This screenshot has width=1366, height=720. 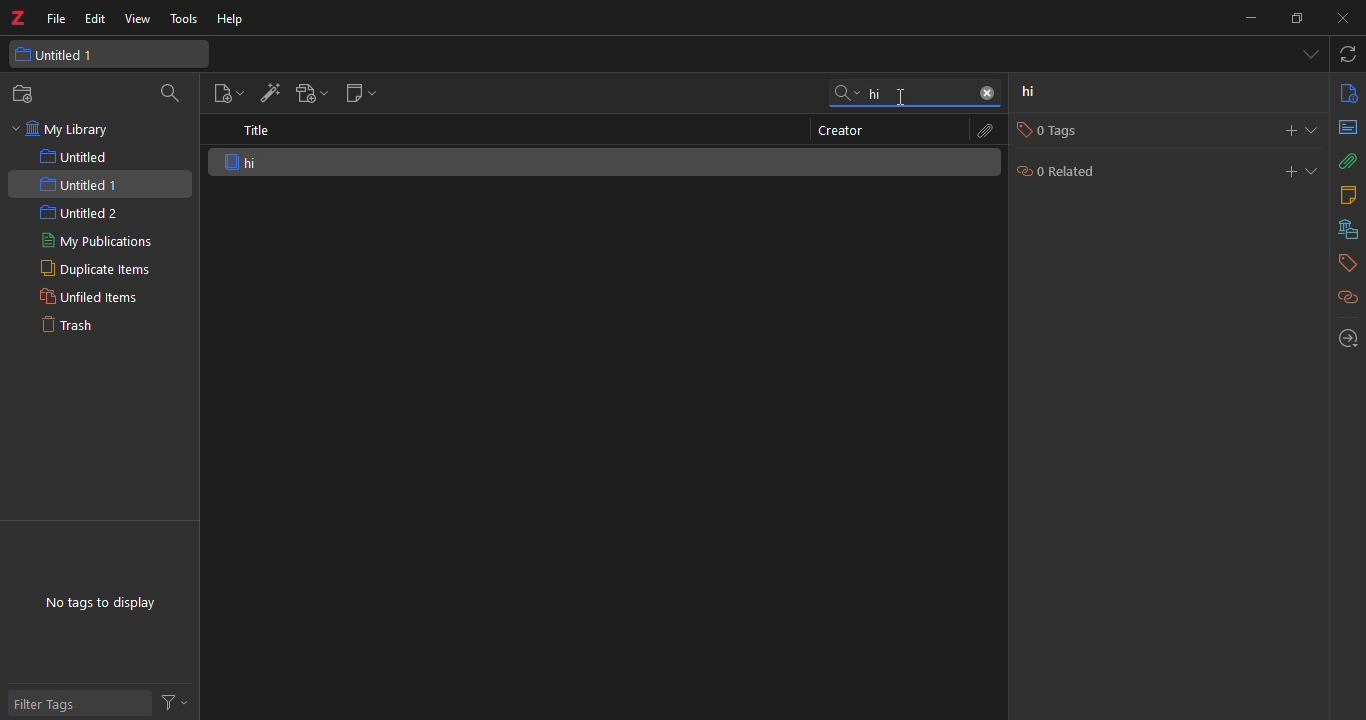 I want to click on help, so click(x=232, y=18).